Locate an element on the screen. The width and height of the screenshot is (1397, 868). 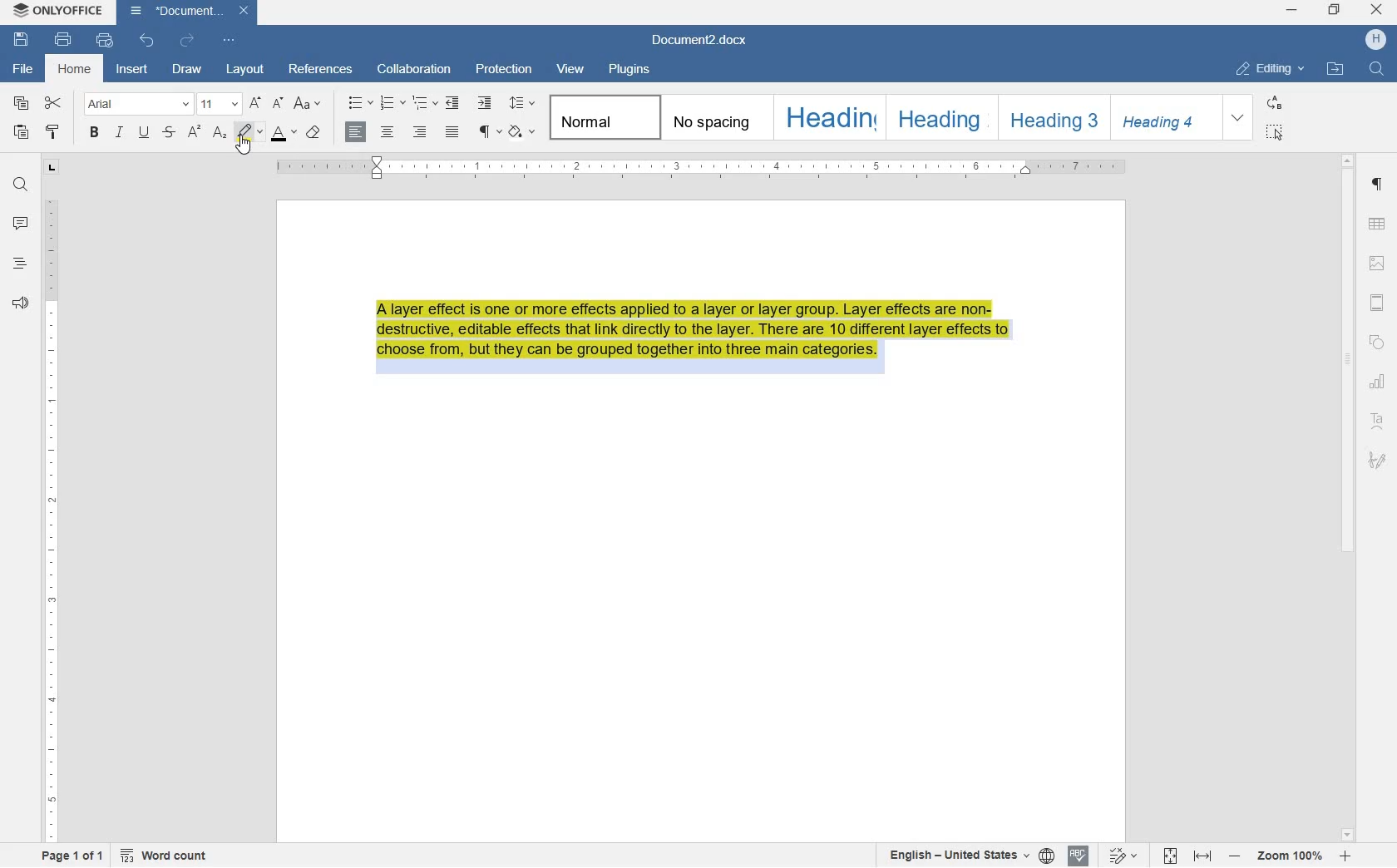
VIEW is located at coordinates (570, 69).